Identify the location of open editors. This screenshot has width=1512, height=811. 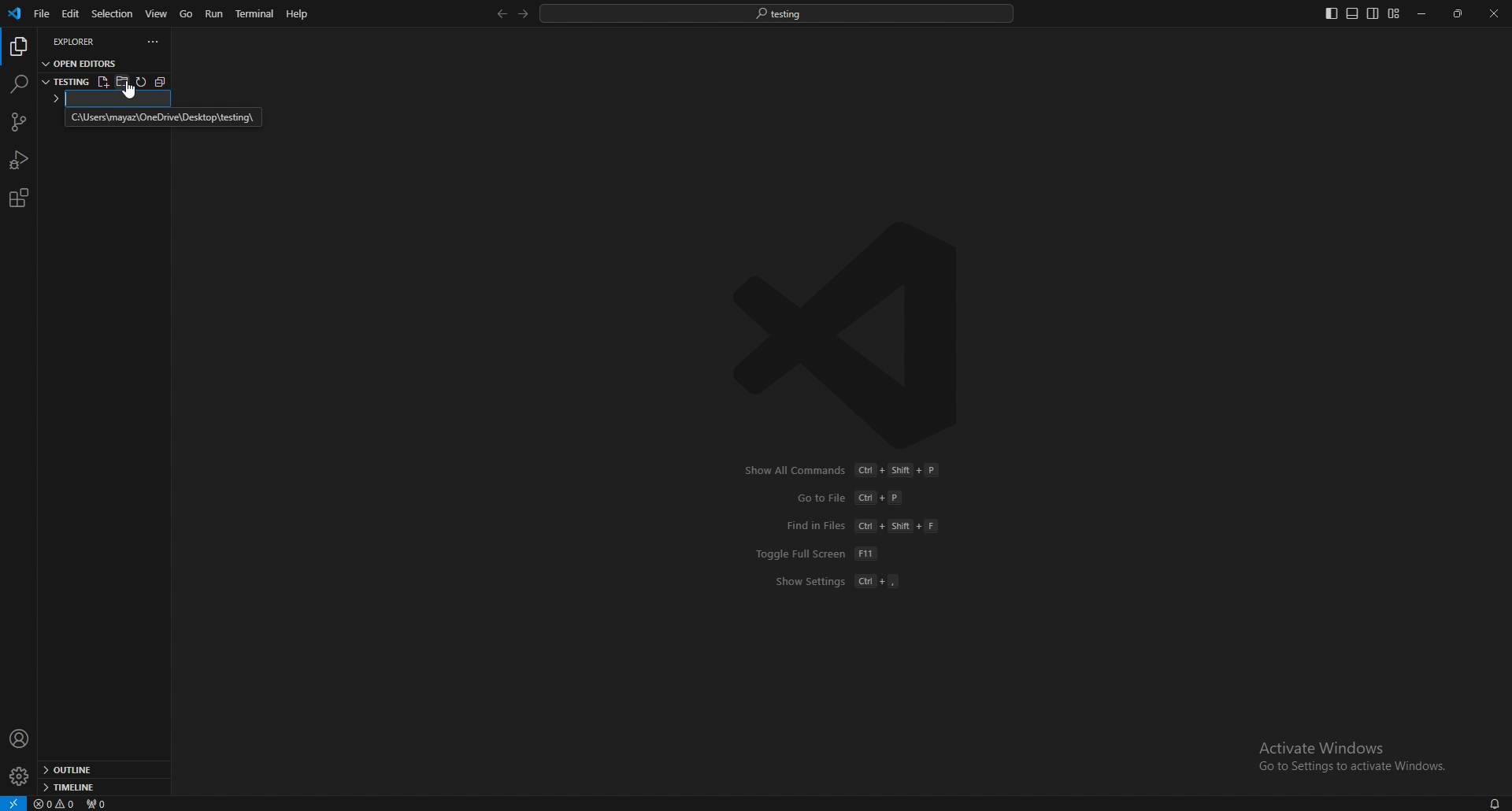
(82, 62).